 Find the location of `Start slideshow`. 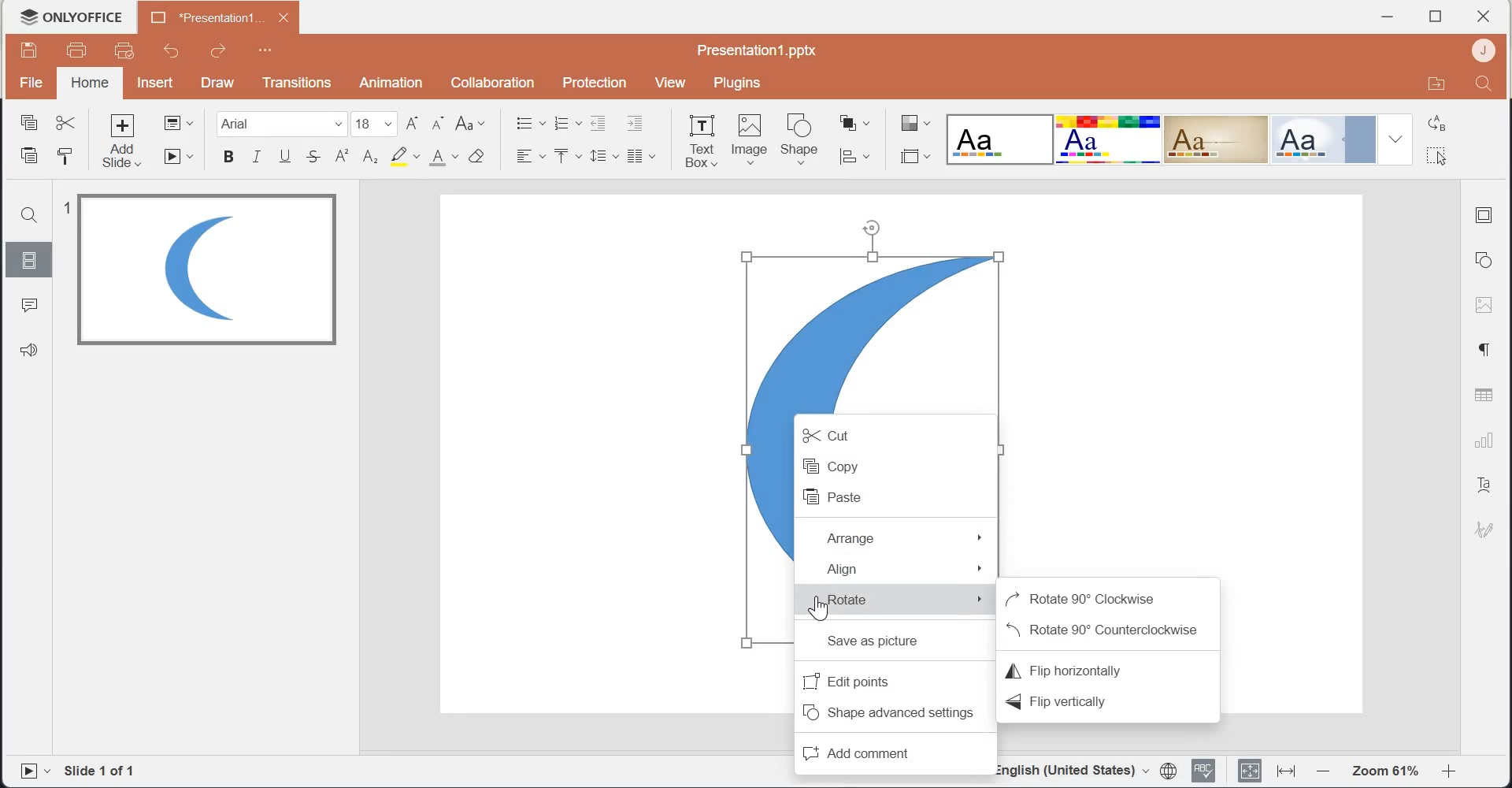

Start slideshow is located at coordinates (180, 157).